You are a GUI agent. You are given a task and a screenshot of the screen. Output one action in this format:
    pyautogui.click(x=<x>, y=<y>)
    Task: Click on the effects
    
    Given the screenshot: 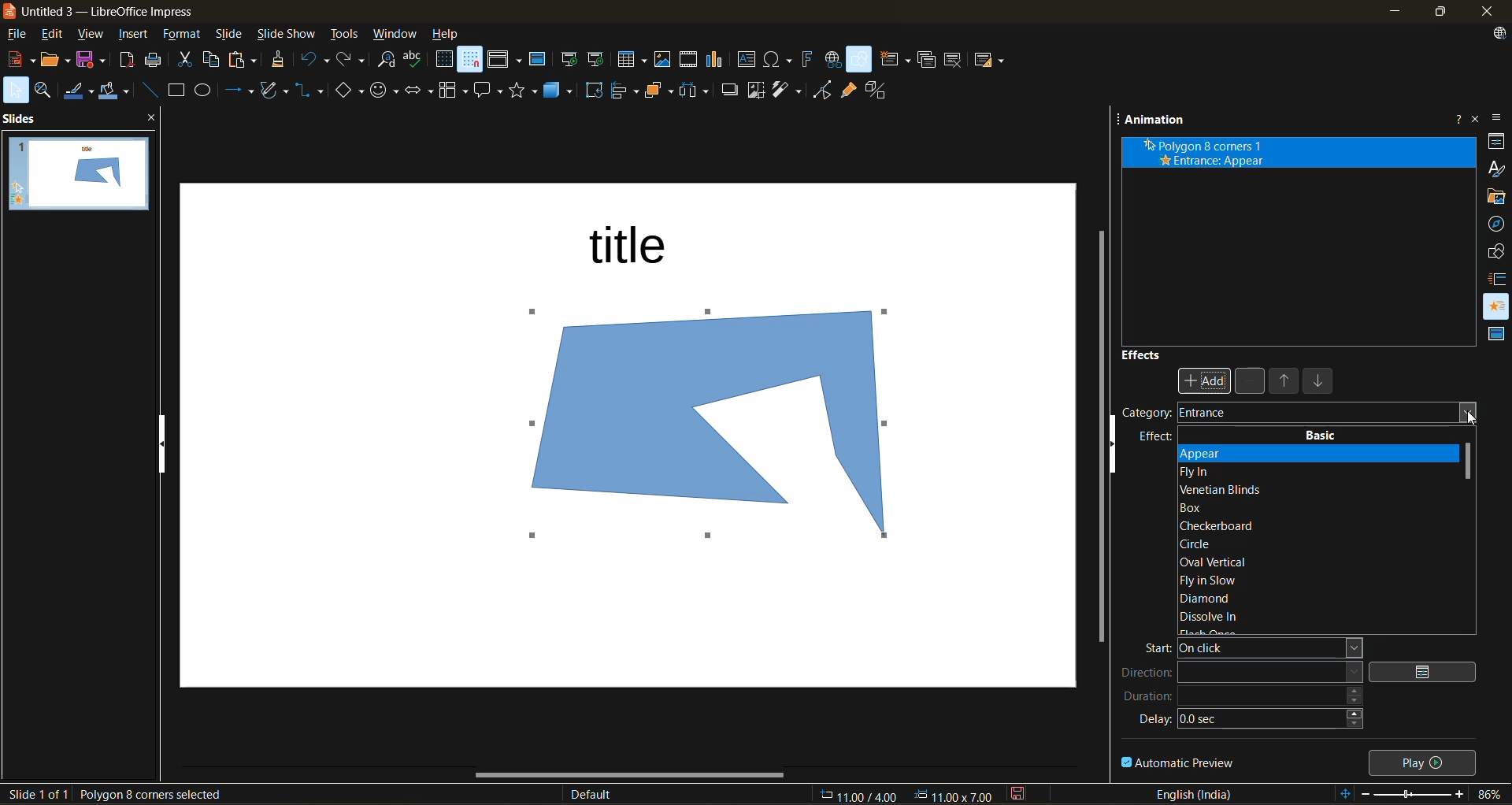 What is the action you would take?
    pyautogui.click(x=1148, y=354)
    